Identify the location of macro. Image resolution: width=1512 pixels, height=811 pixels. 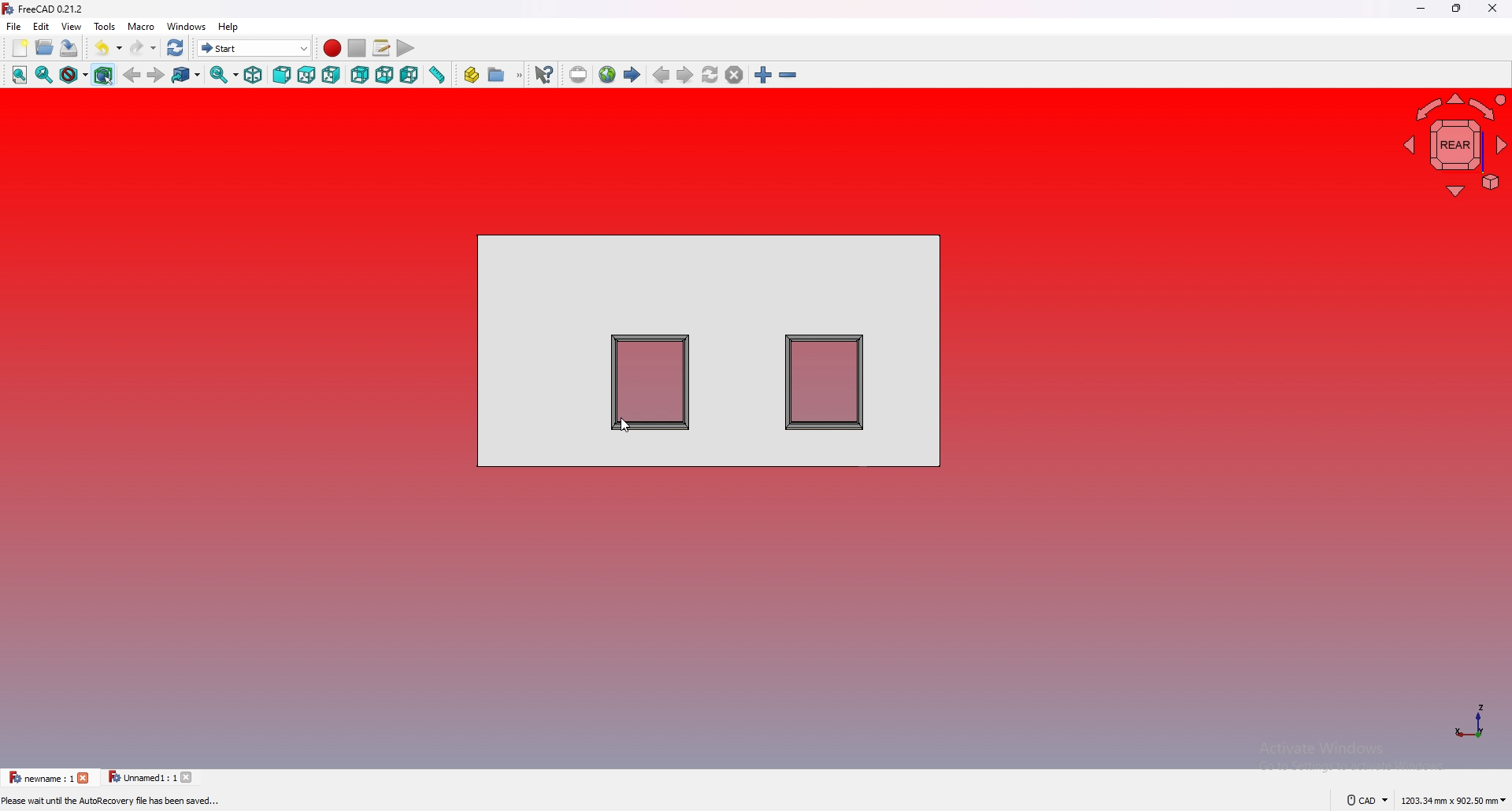
(142, 26).